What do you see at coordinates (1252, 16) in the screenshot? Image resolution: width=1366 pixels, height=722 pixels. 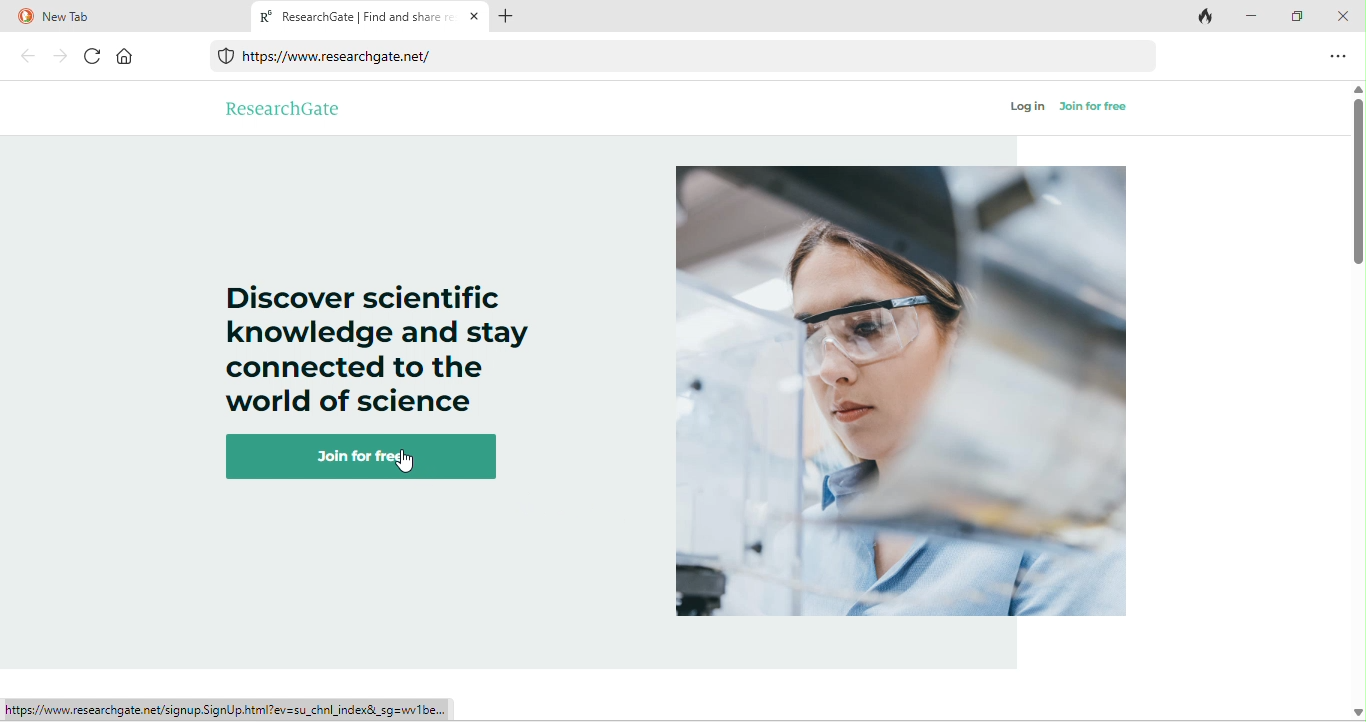 I see `minimize` at bounding box center [1252, 16].